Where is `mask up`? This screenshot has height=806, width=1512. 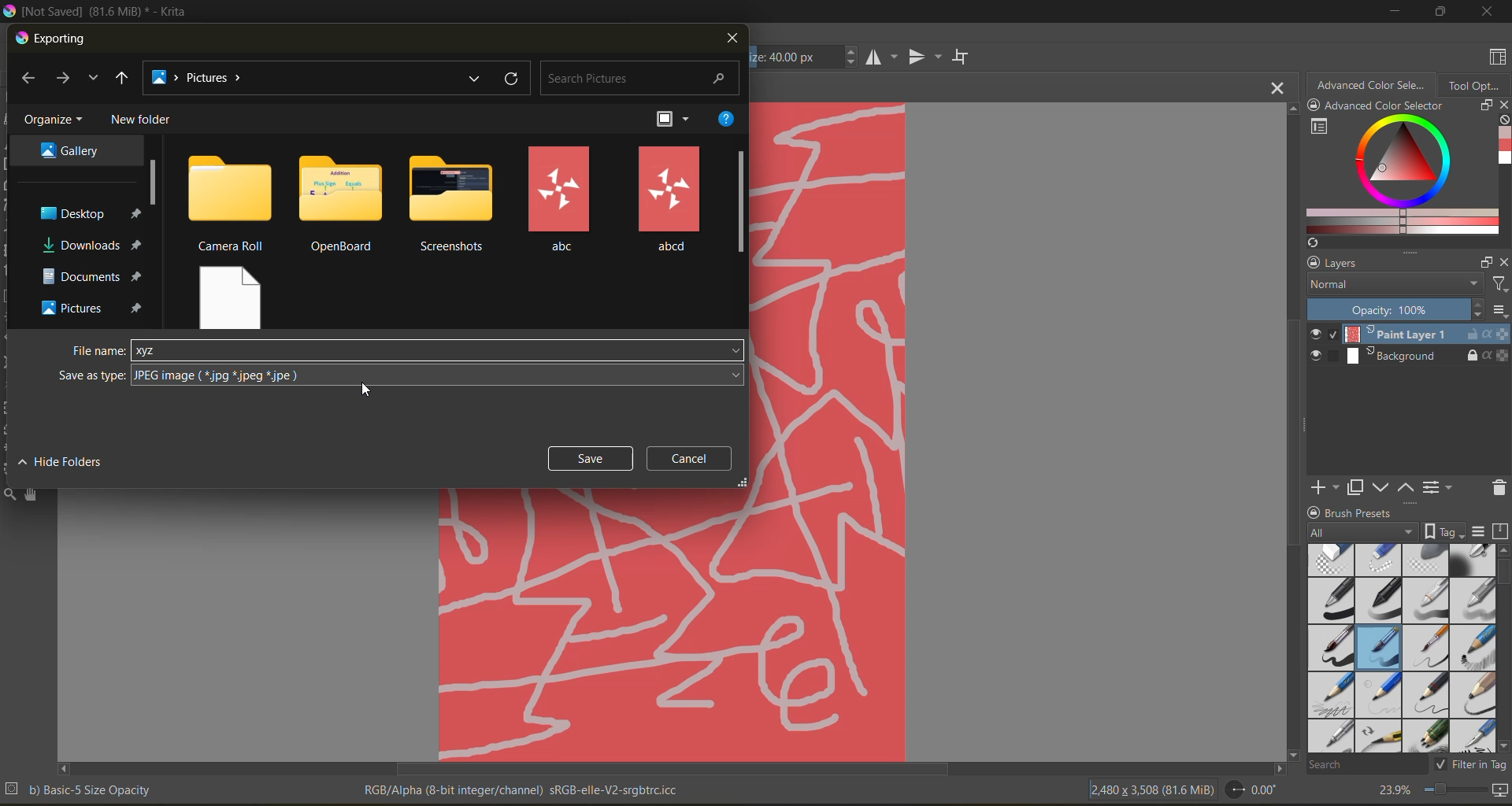 mask up is located at coordinates (1407, 486).